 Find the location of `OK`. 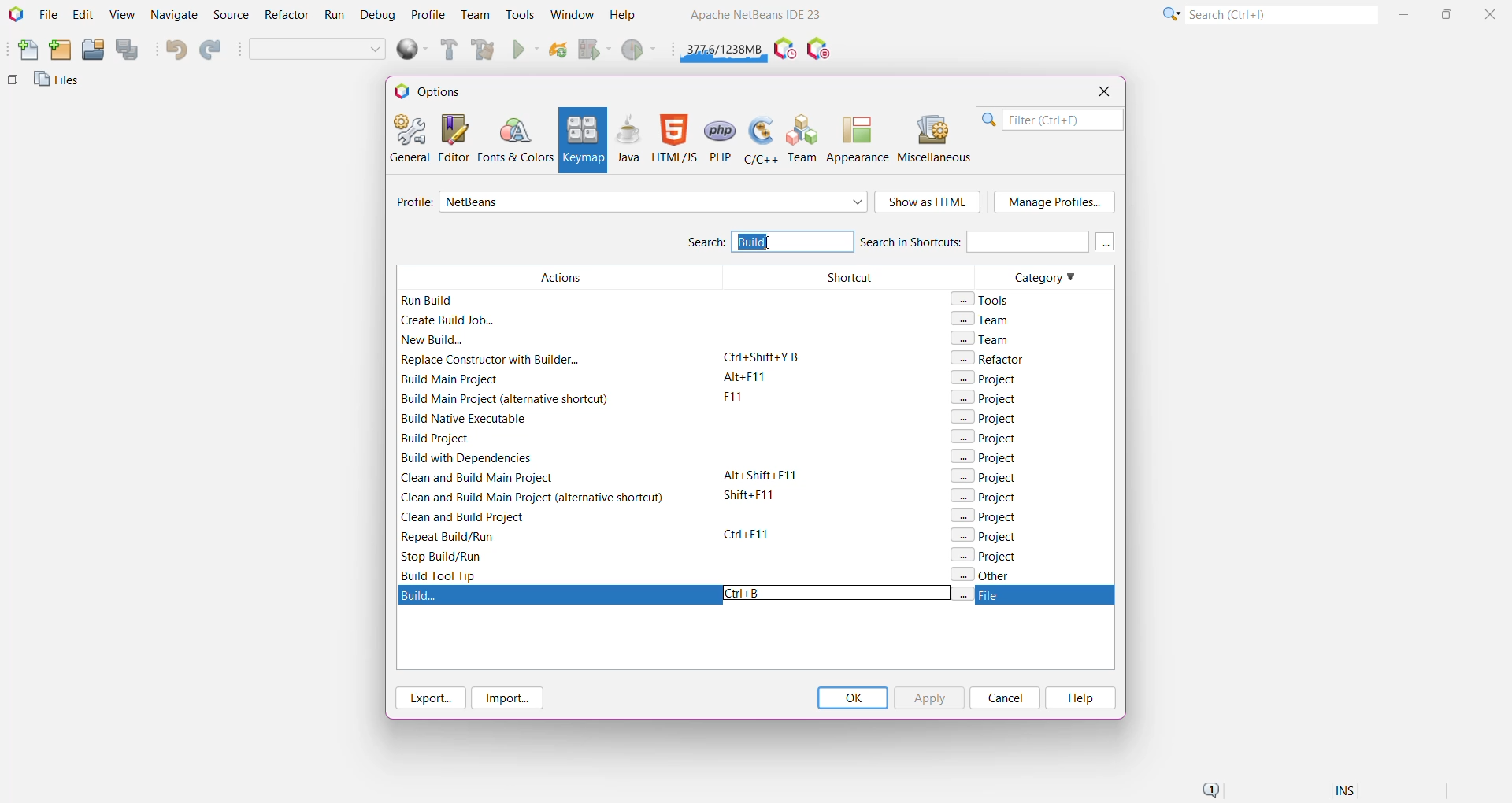

OK is located at coordinates (852, 698).